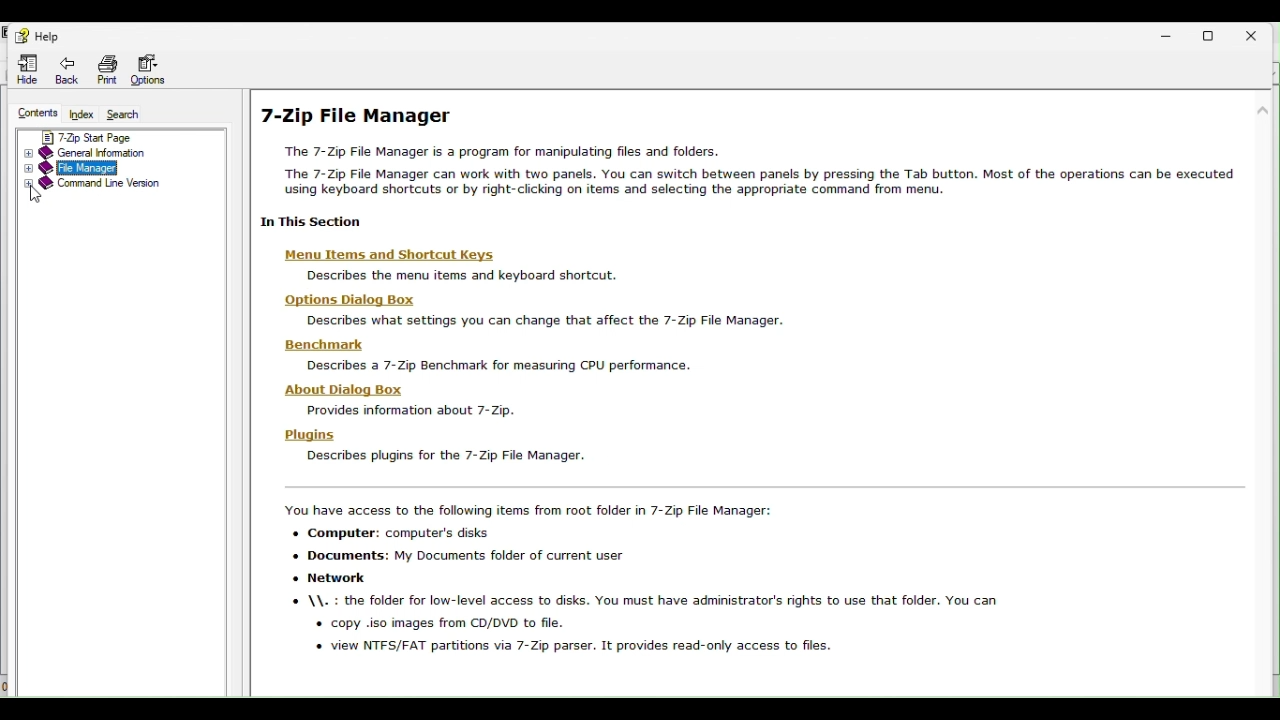  I want to click on Contents, so click(35, 113).